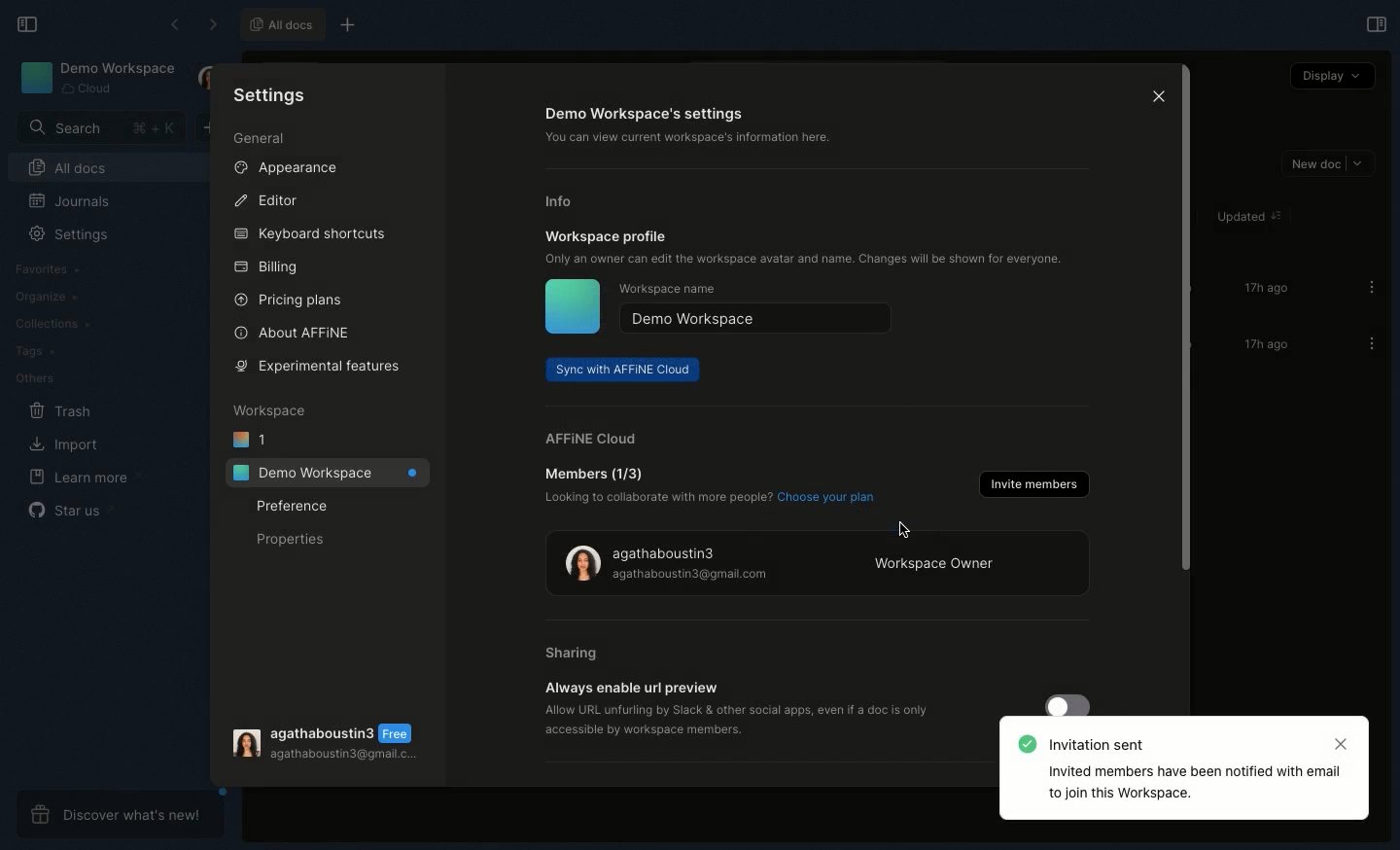 This screenshot has width=1400, height=850. Describe the element at coordinates (1366, 343) in the screenshot. I see `Options` at that location.